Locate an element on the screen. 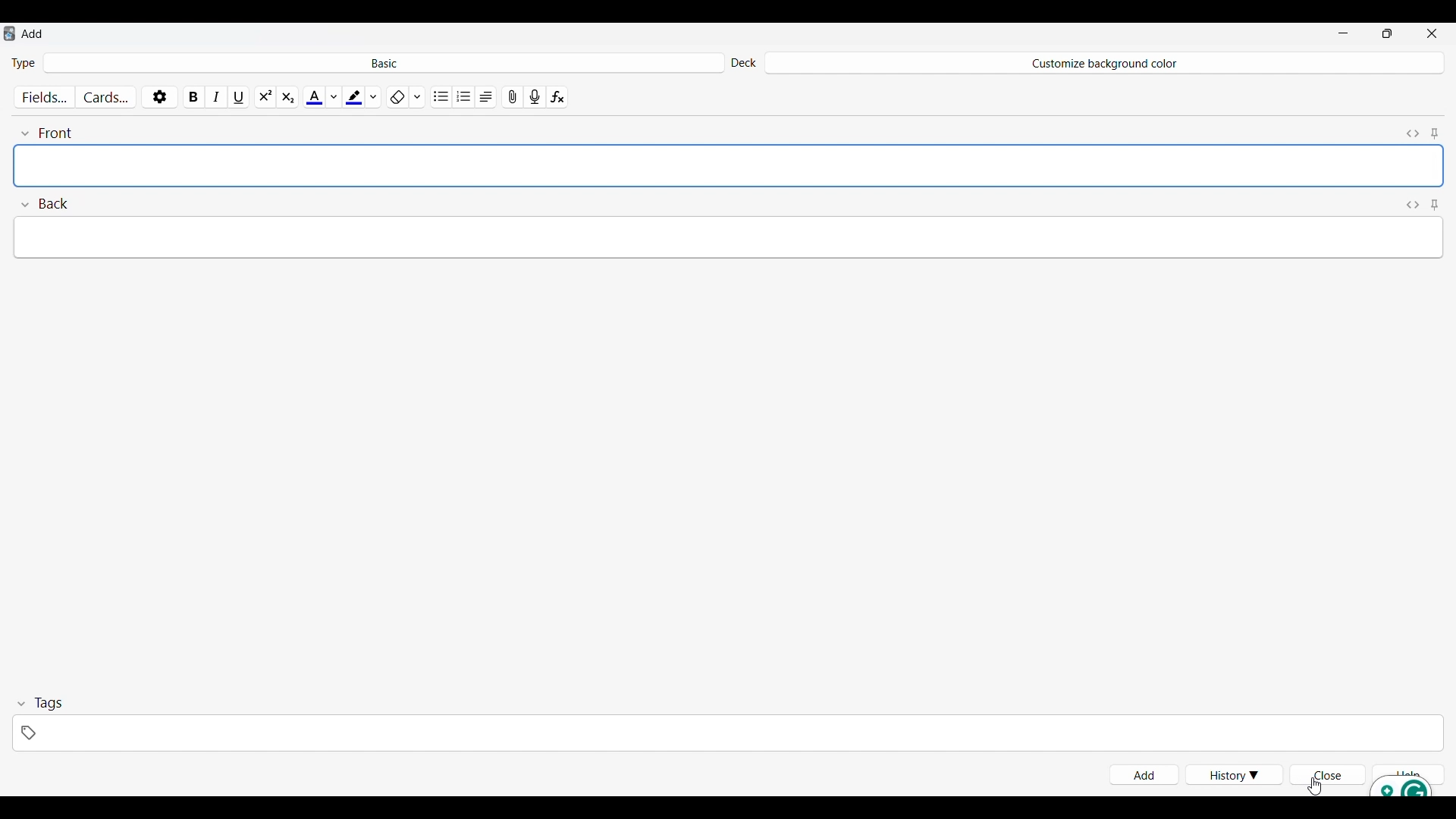 This screenshot has width=1456, height=819. Cursor clicking on Close is located at coordinates (1314, 787).